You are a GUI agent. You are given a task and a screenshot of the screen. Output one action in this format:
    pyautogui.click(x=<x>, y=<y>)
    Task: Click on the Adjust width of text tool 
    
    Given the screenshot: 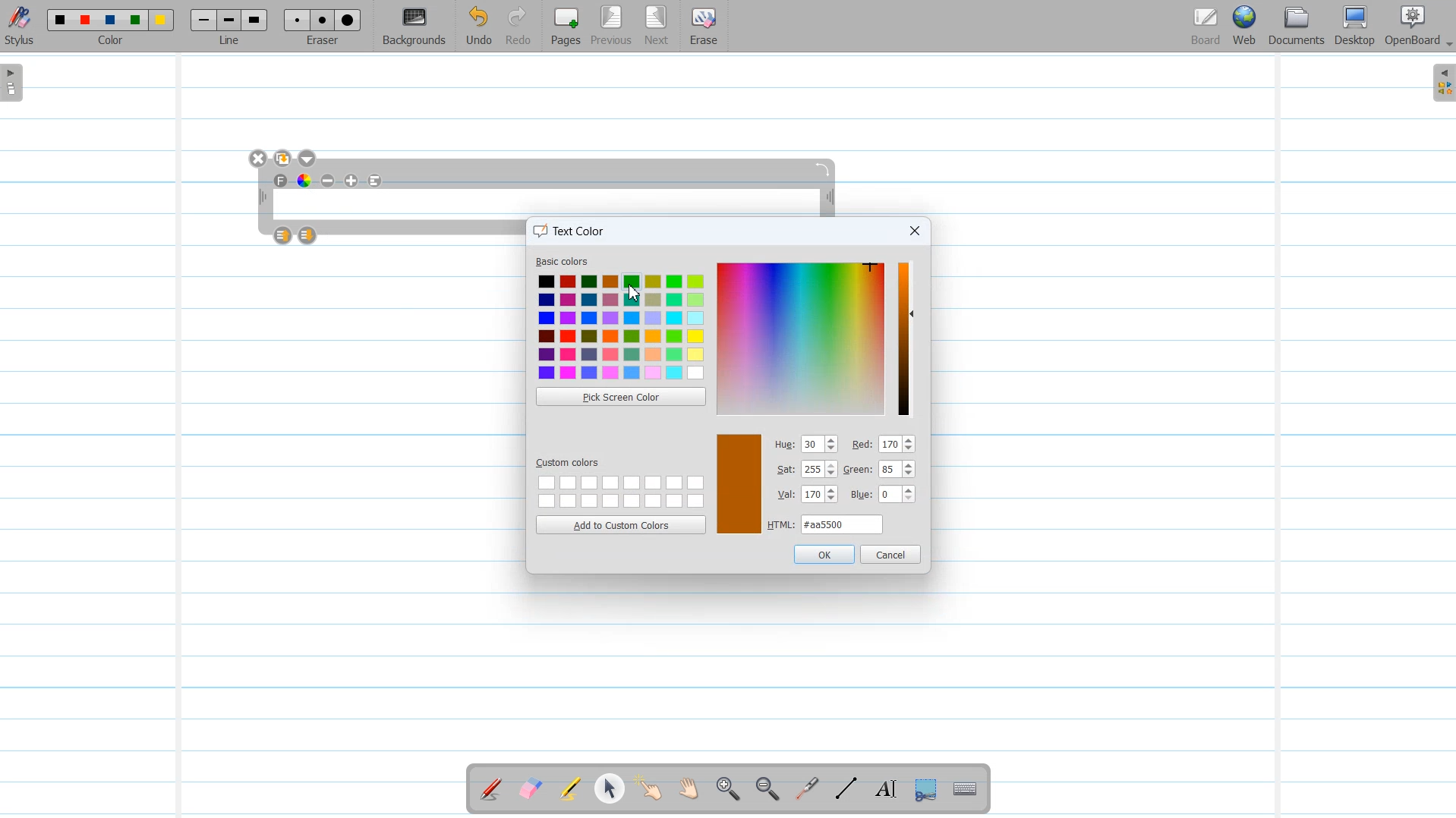 What is the action you would take?
    pyautogui.click(x=261, y=197)
    